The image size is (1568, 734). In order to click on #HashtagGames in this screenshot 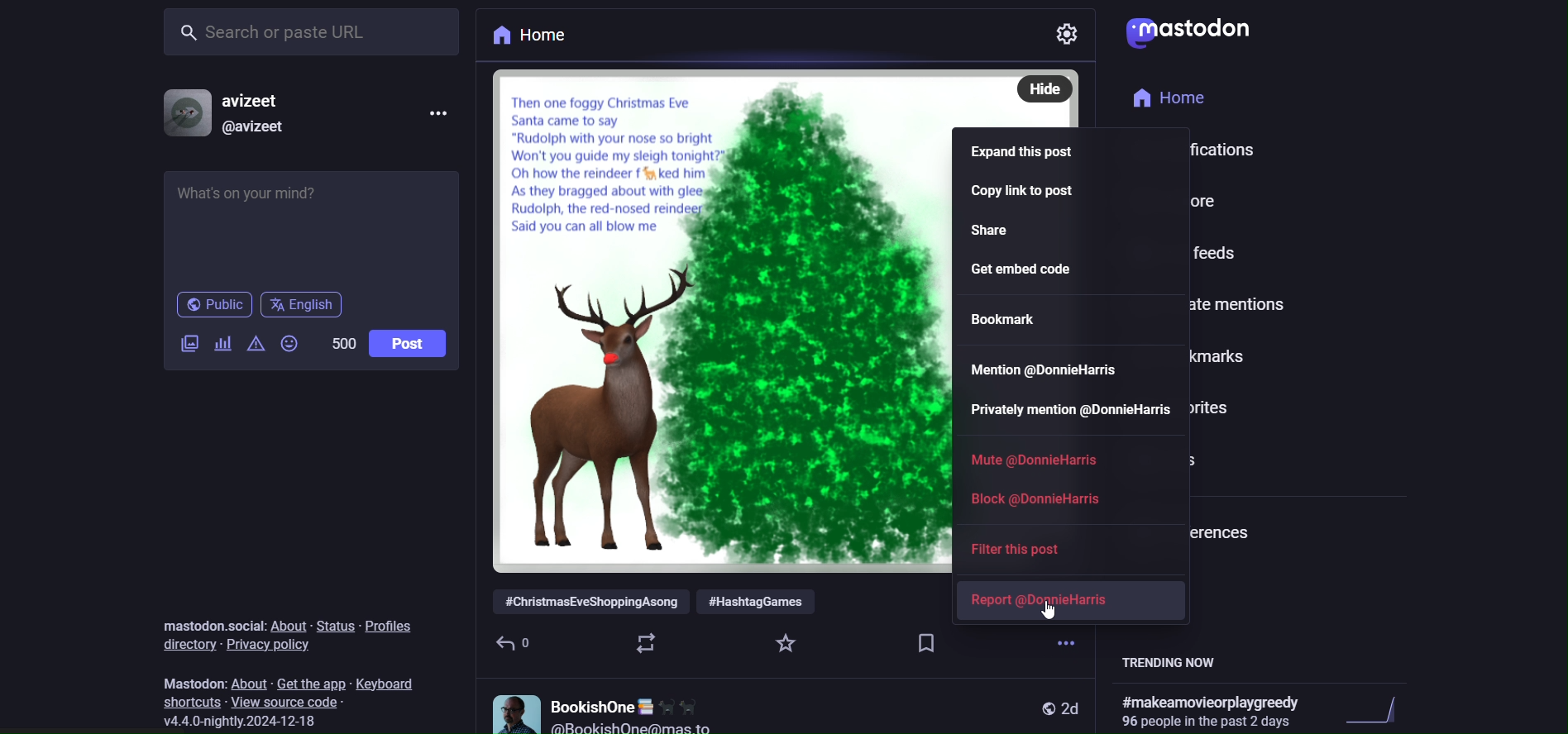, I will do `click(759, 602)`.